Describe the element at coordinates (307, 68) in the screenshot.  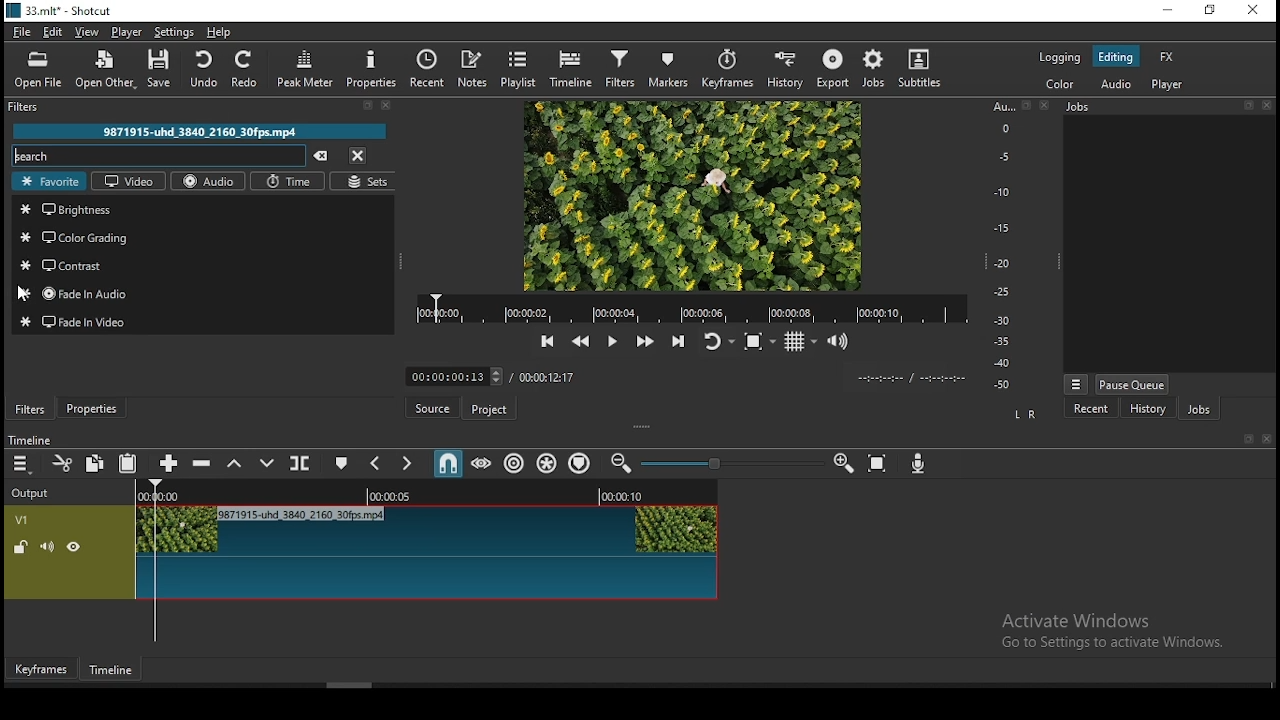
I see `peak meter` at that location.